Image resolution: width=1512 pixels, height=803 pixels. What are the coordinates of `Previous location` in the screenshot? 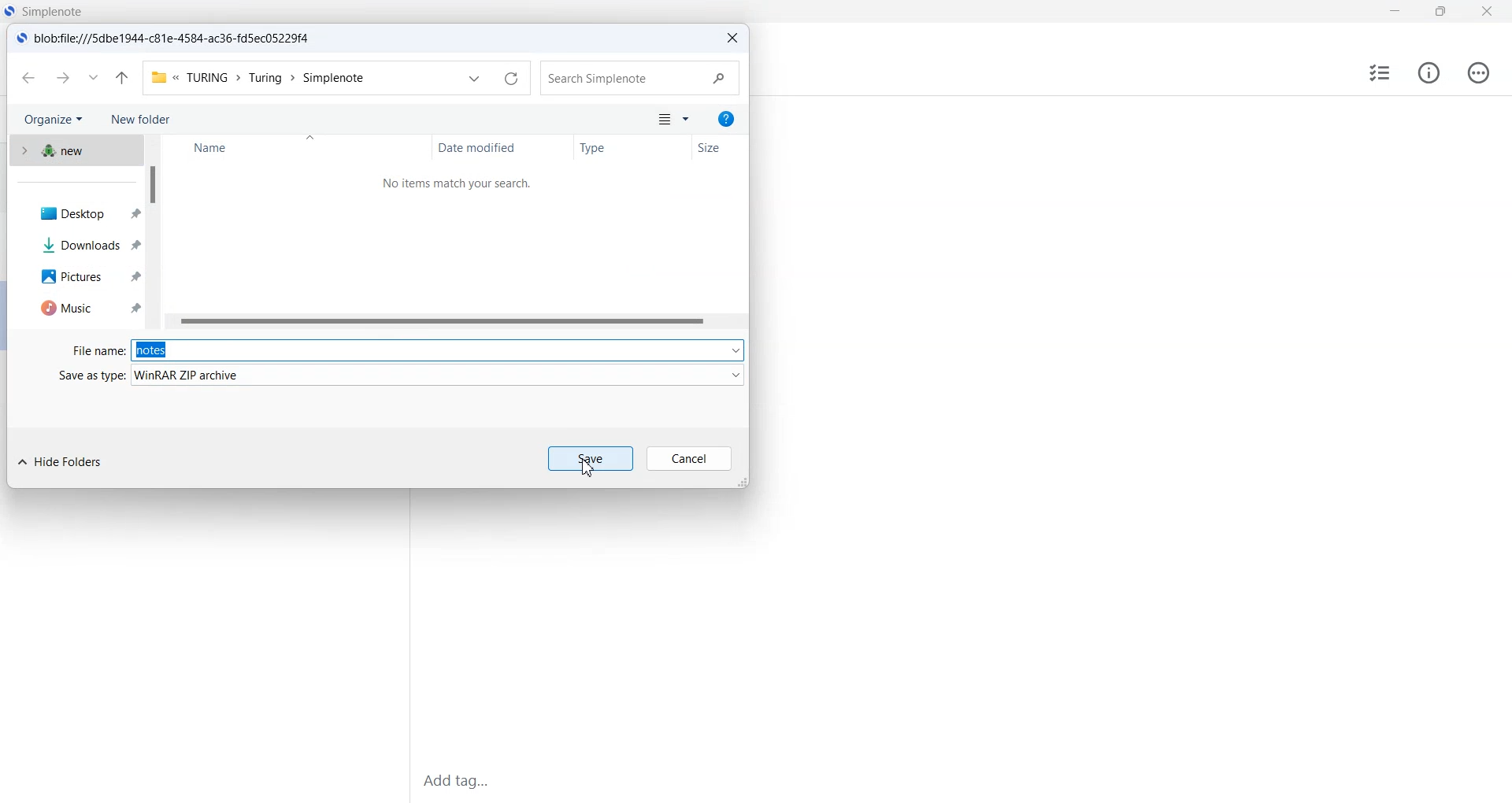 It's located at (472, 78).